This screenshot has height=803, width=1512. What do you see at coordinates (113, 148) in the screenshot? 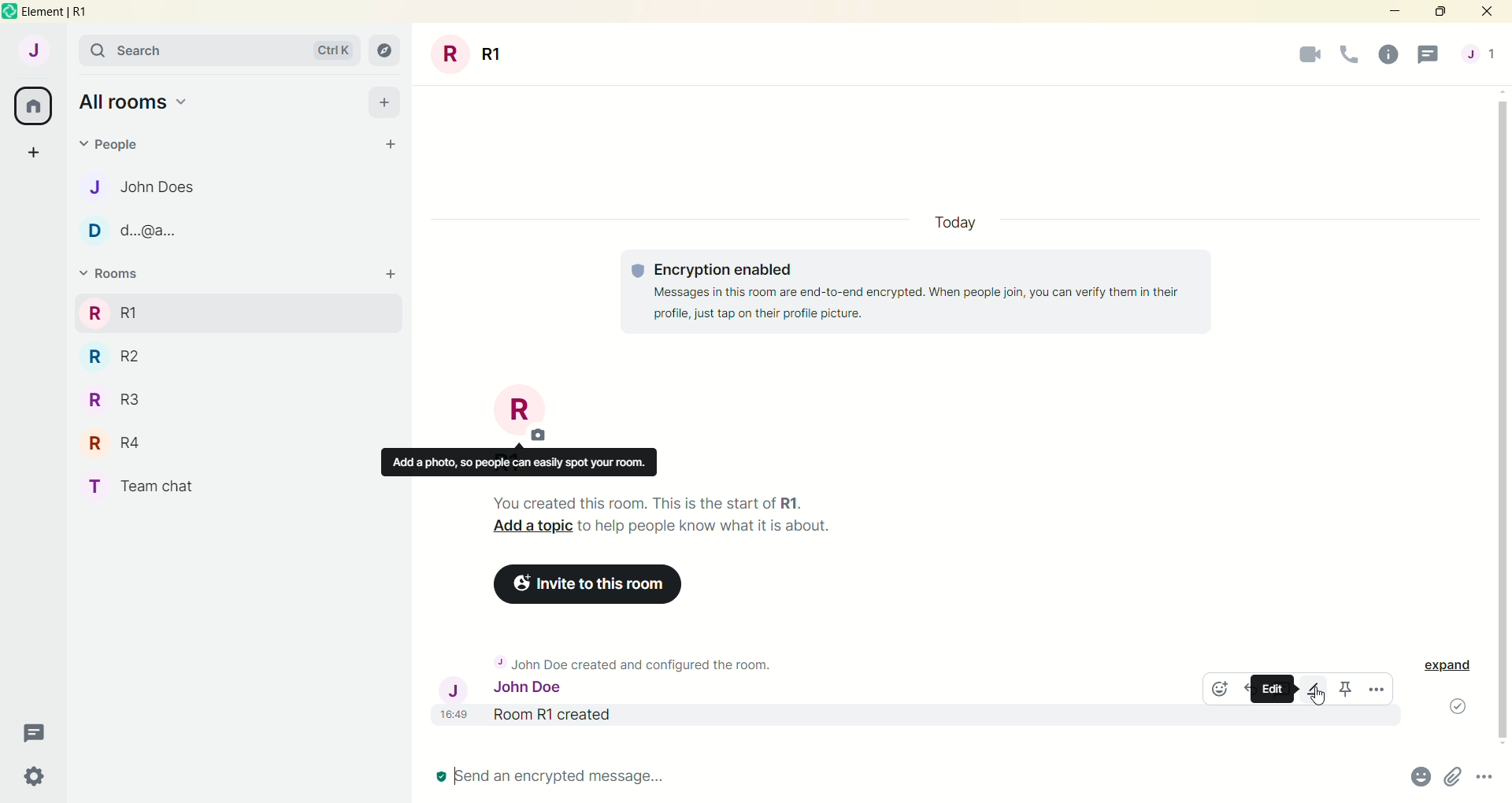
I see `people` at bounding box center [113, 148].